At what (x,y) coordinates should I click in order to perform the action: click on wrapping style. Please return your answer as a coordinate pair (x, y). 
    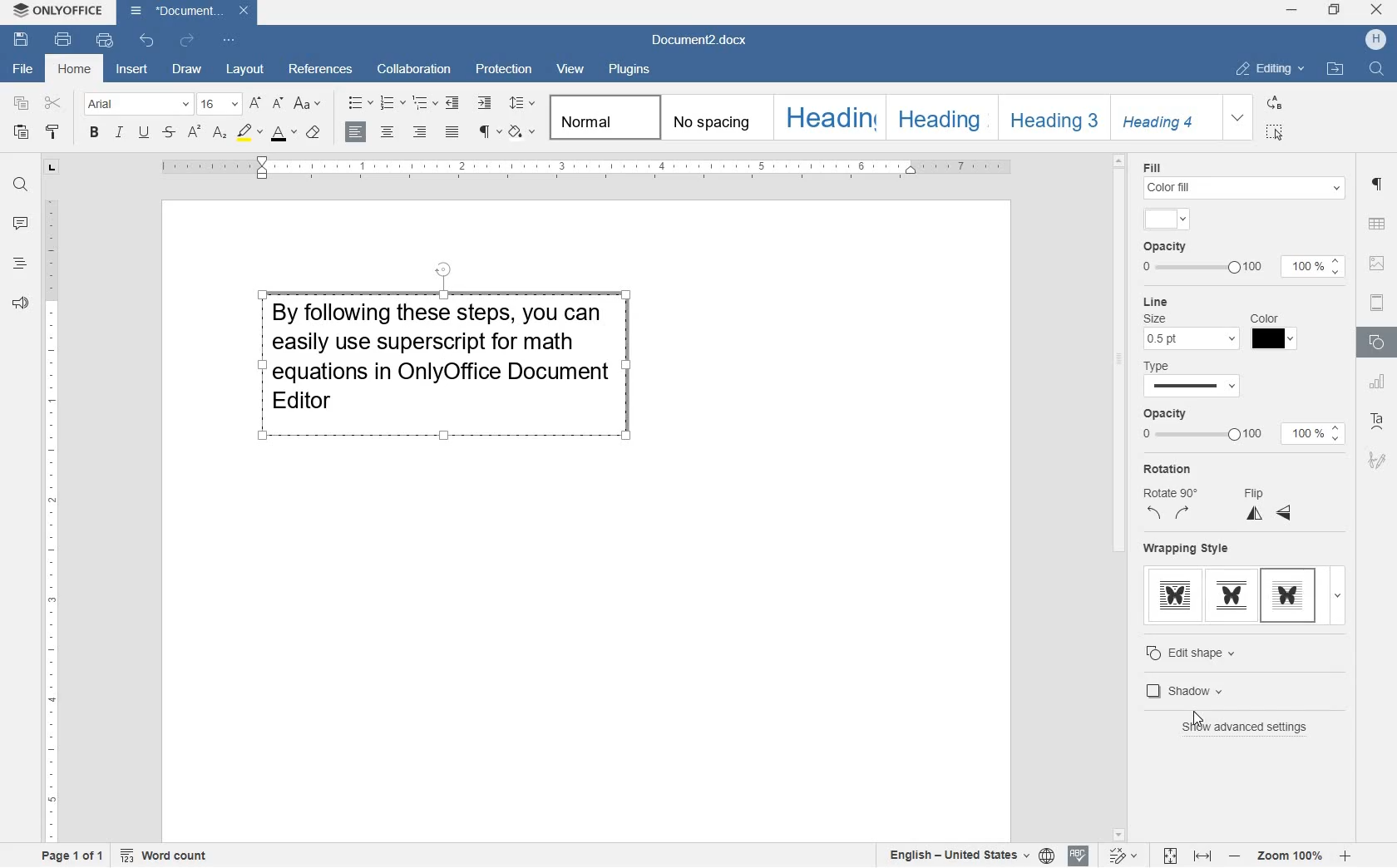
    Looking at the image, I should click on (1187, 549).